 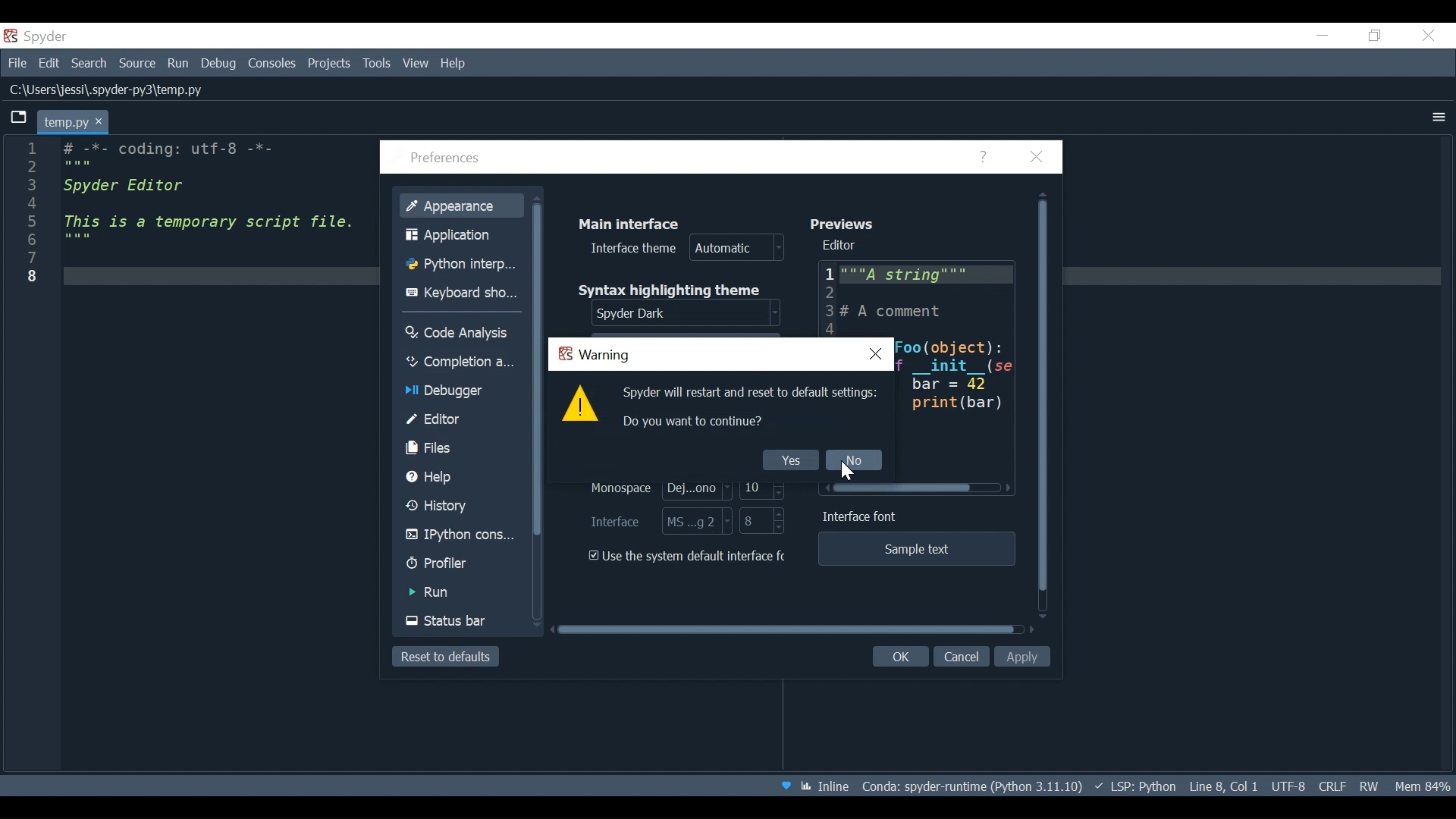 What do you see at coordinates (444, 657) in the screenshot?
I see `Reset to defaults` at bounding box center [444, 657].